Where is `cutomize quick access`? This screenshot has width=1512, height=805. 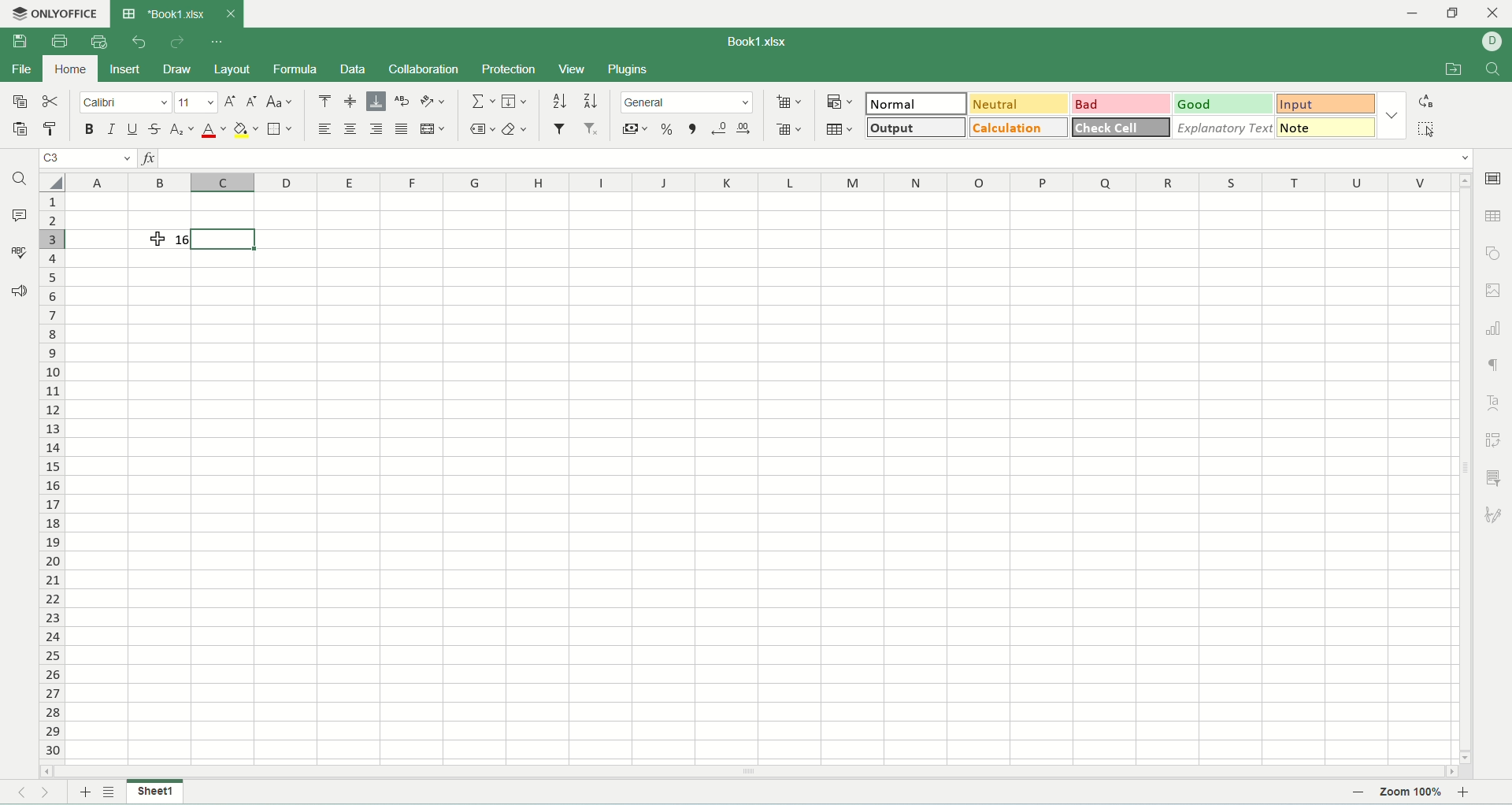 cutomize quick access is located at coordinates (219, 42).